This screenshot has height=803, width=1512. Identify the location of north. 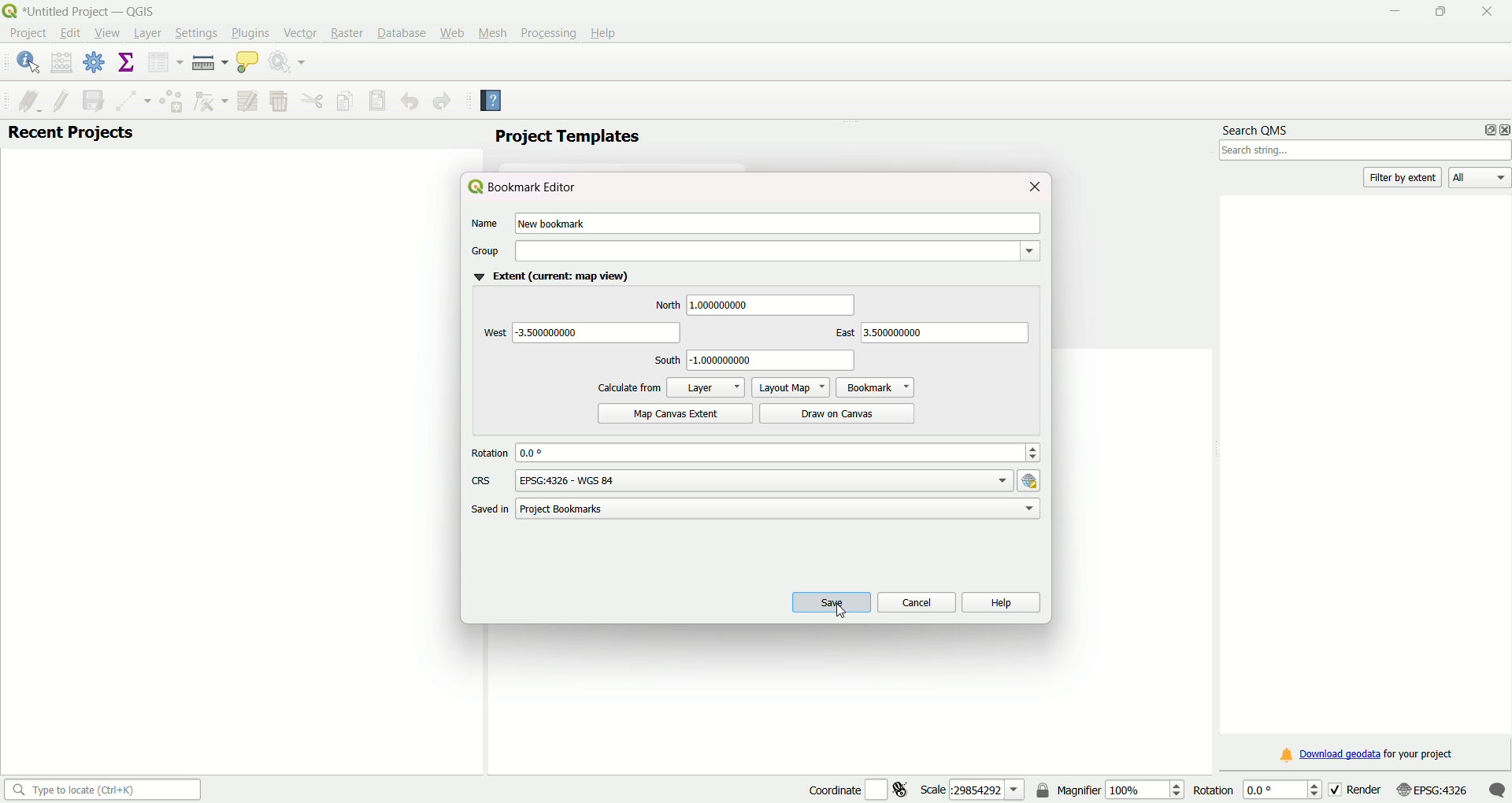
(666, 305).